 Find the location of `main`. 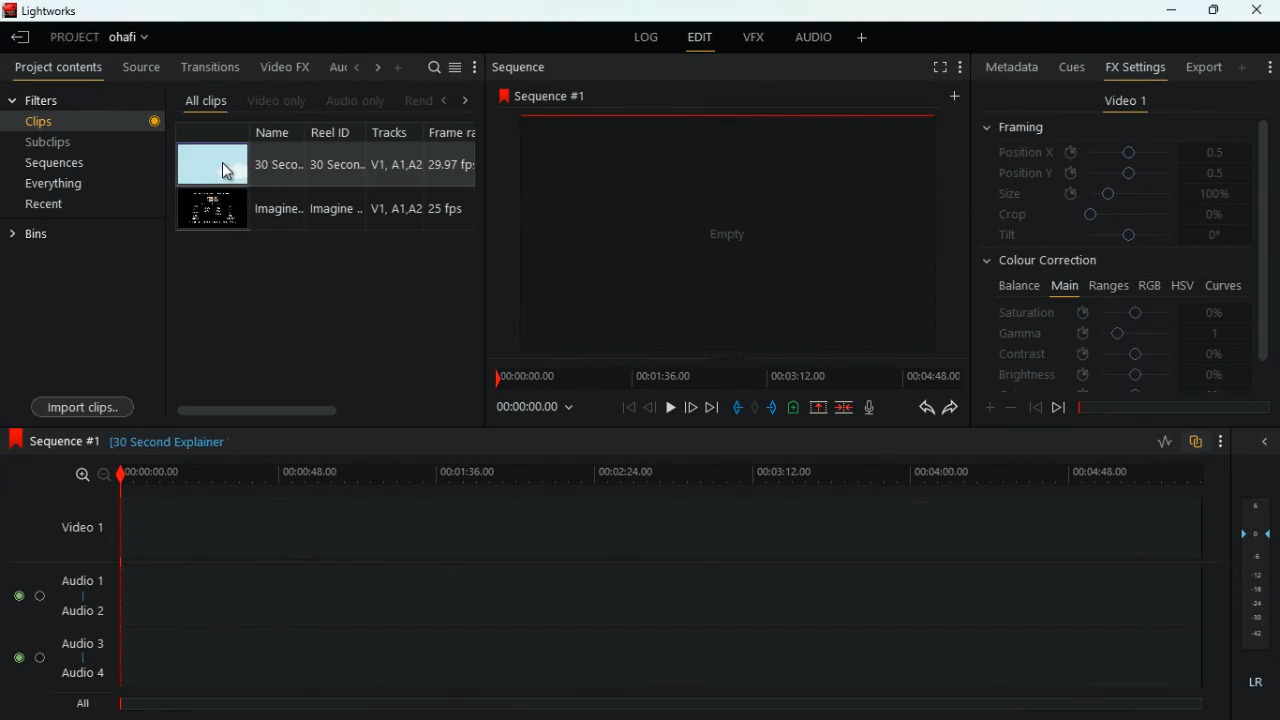

main is located at coordinates (1064, 286).